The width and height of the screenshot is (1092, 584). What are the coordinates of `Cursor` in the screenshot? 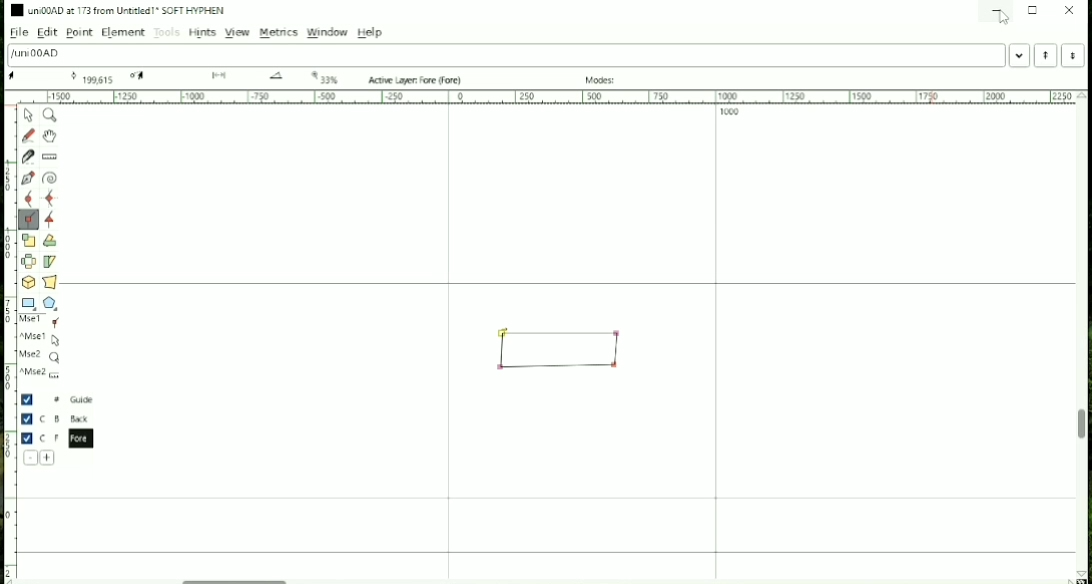 It's located at (1001, 18).